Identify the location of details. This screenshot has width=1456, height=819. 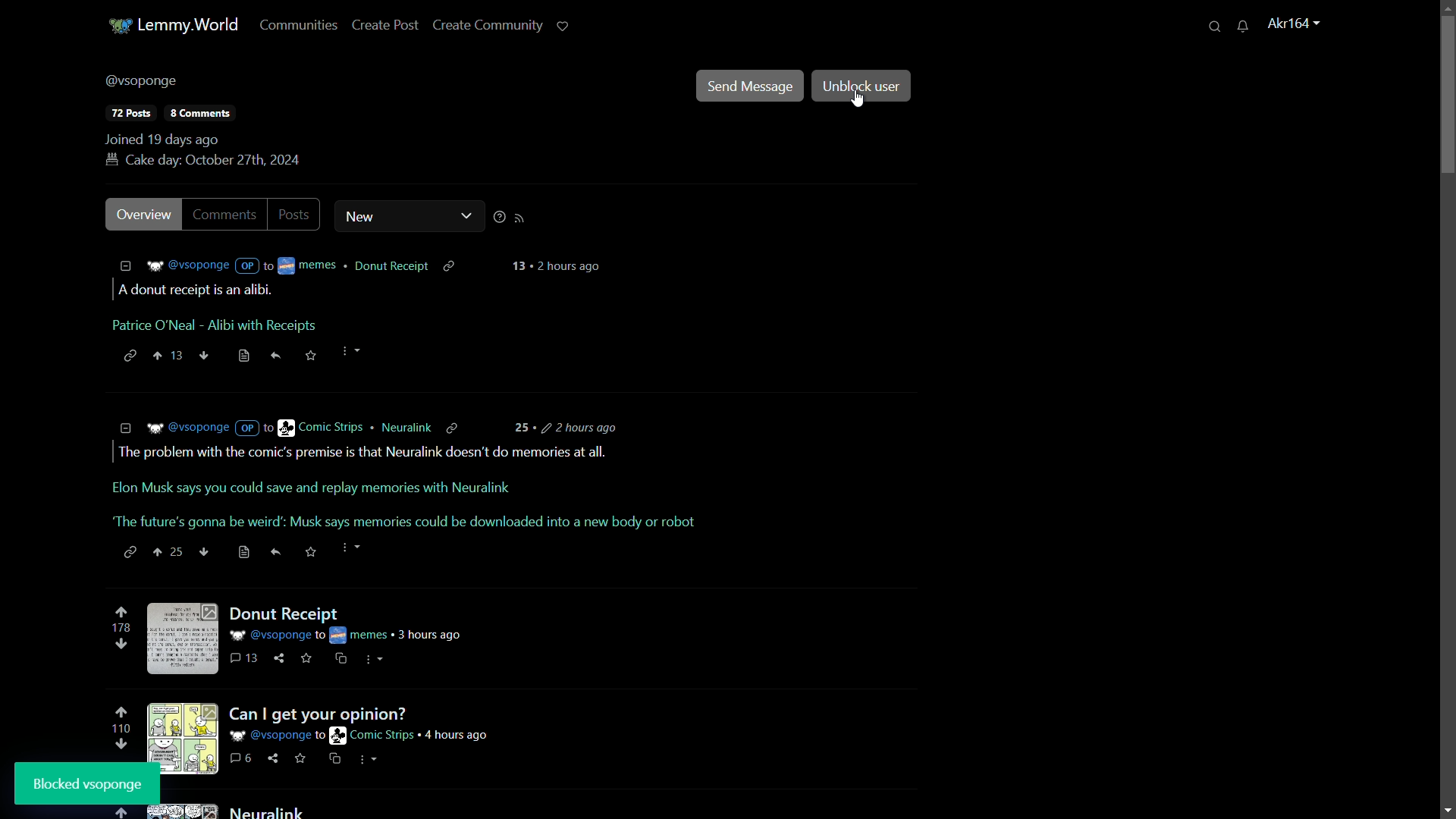
(273, 265).